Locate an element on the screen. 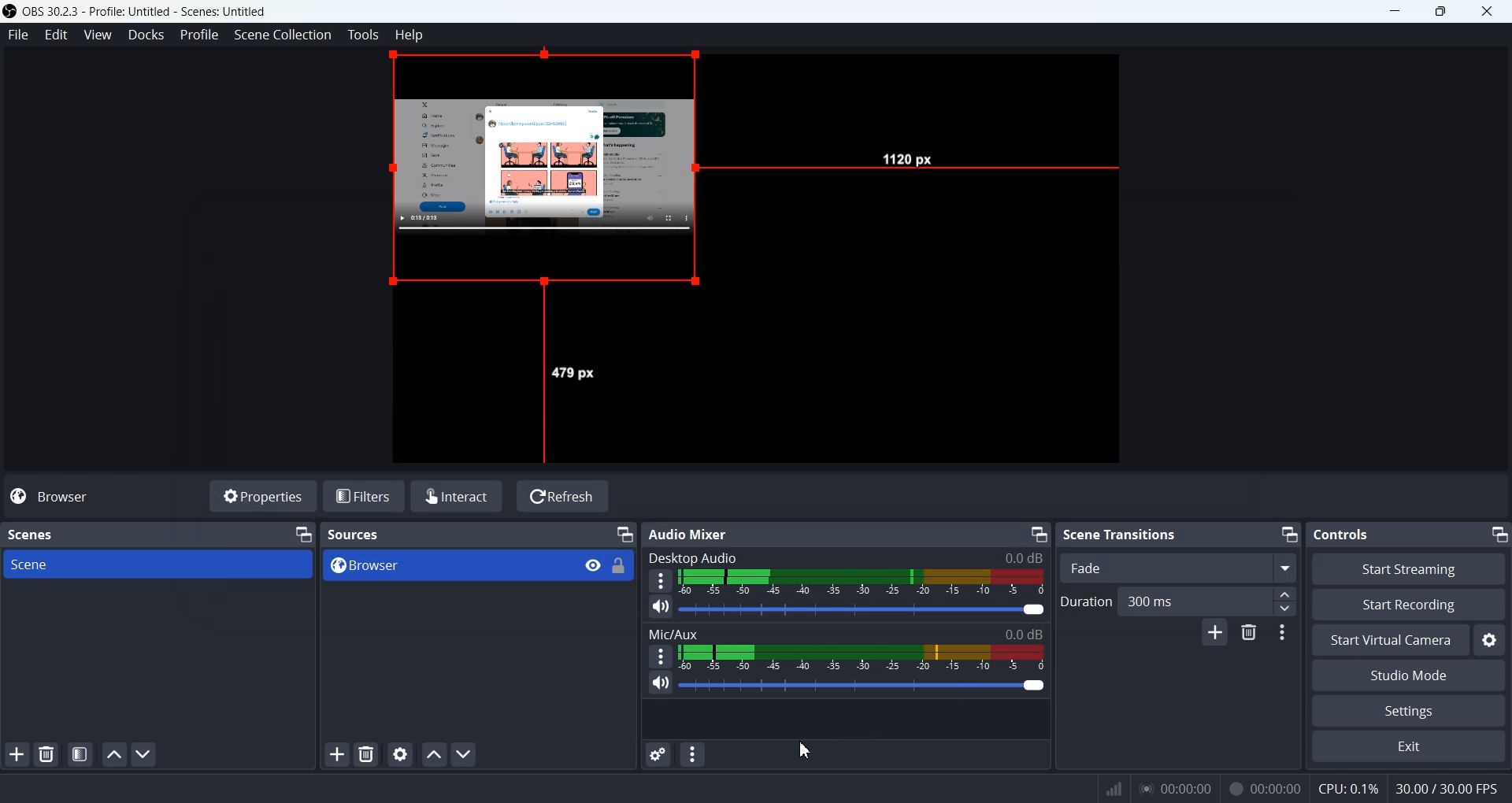 Image resolution: width=1512 pixels, height=803 pixels. Settings is located at coordinates (1490, 640).